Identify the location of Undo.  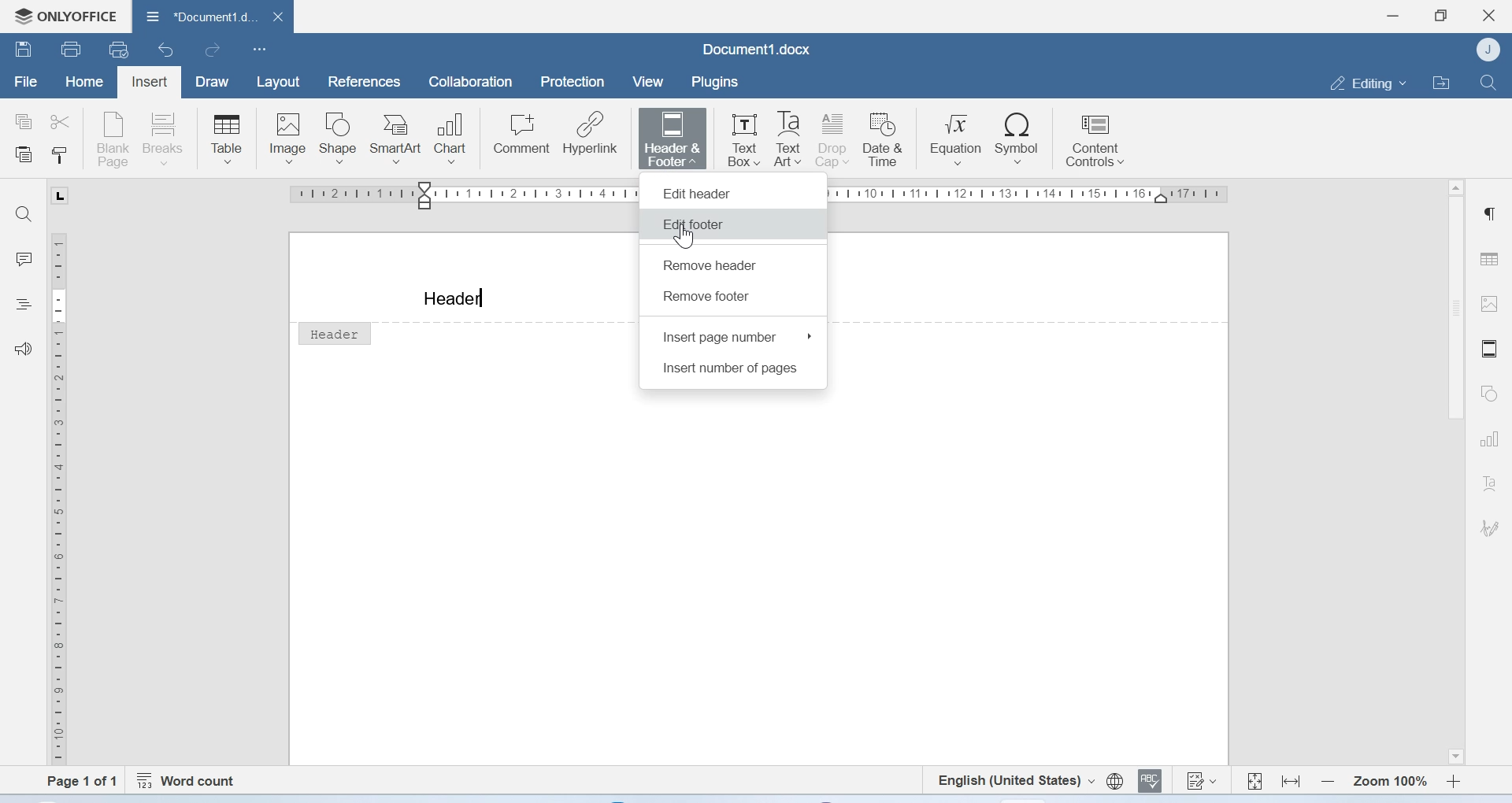
(168, 51).